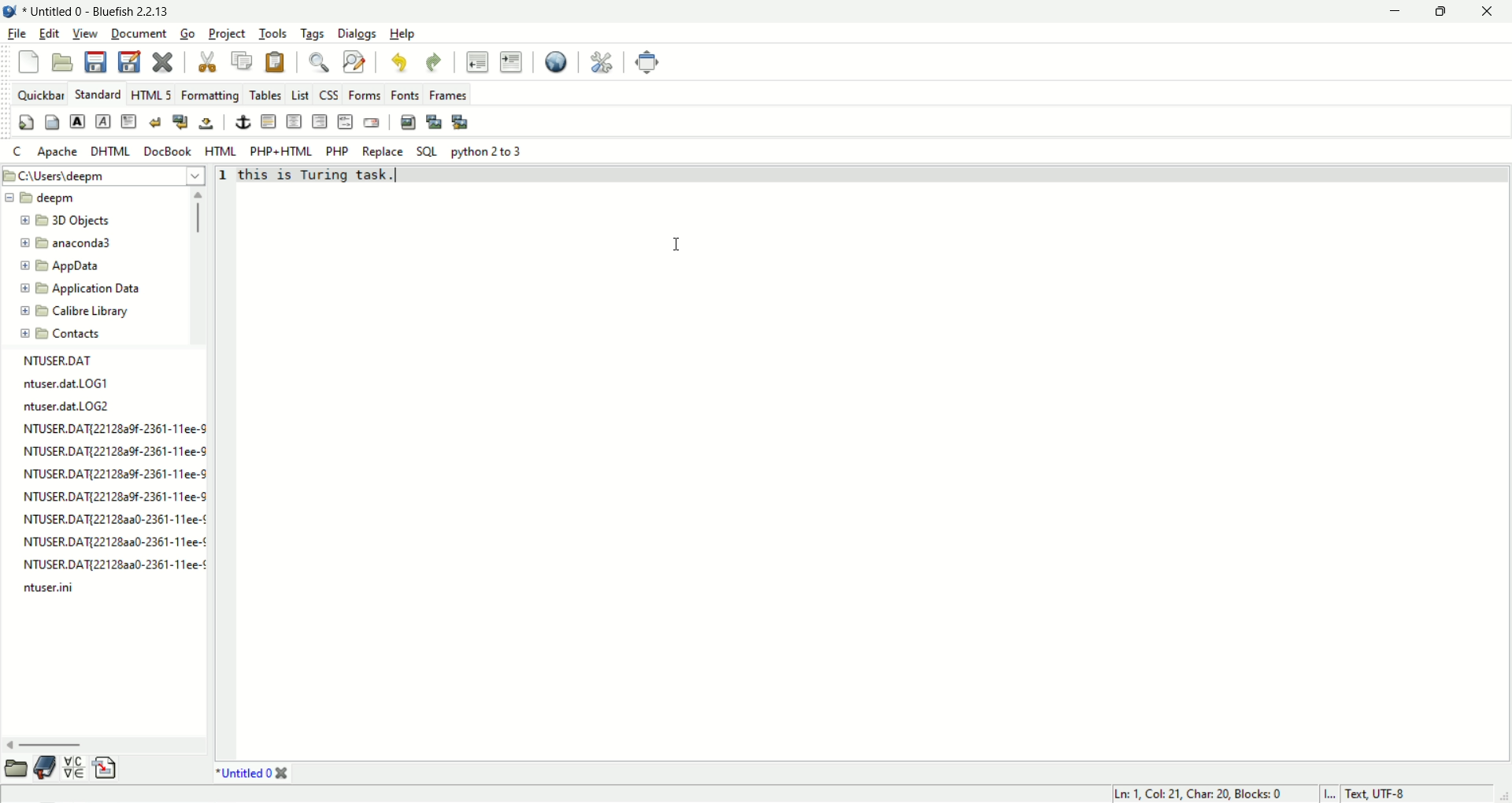 The width and height of the screenshot is (1512, 803). Describe the element at coordinates (511, 62) in the screenshot. I see `indent` at that location.